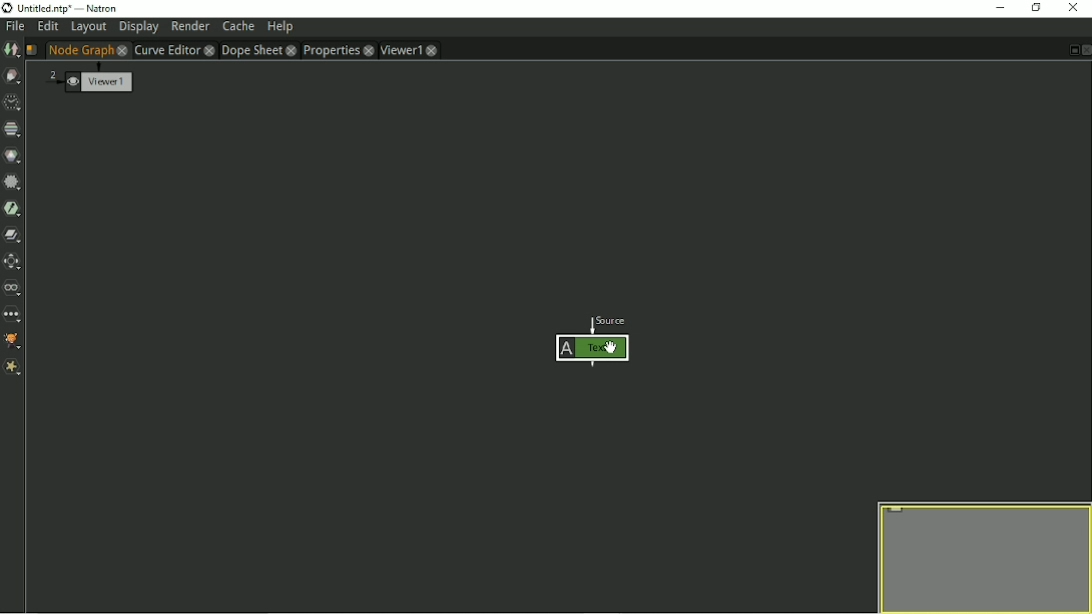  Describe the element at coordinates (47, 27) in the screenshot. I see `Edit` at that location.